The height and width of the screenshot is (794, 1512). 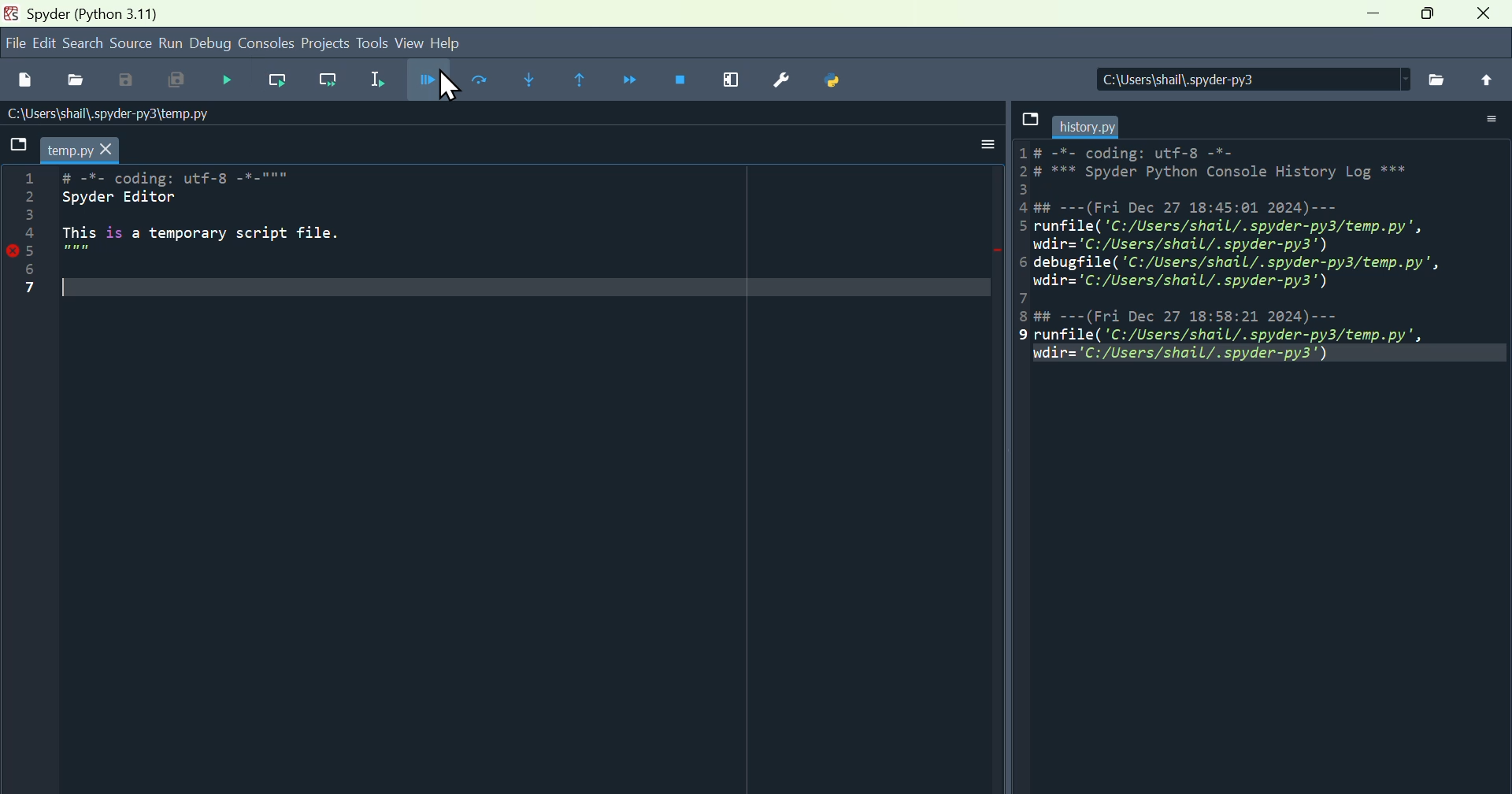 What do you see at coordinates (738, 81) in the screenshot?
I see `Maximise current window` at bounding box center [738, 81].